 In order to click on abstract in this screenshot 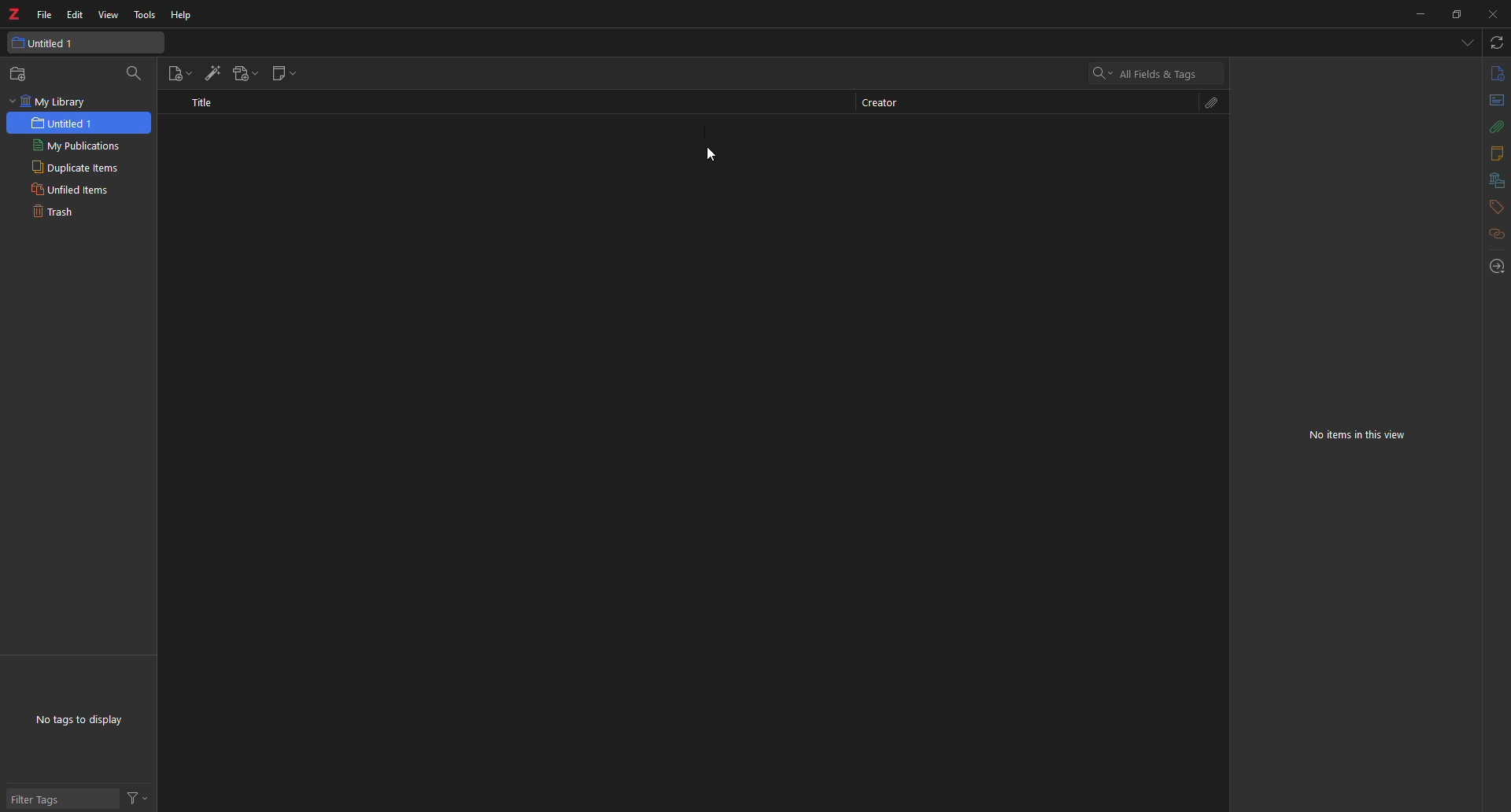, I will do `click(1495, 101)`.